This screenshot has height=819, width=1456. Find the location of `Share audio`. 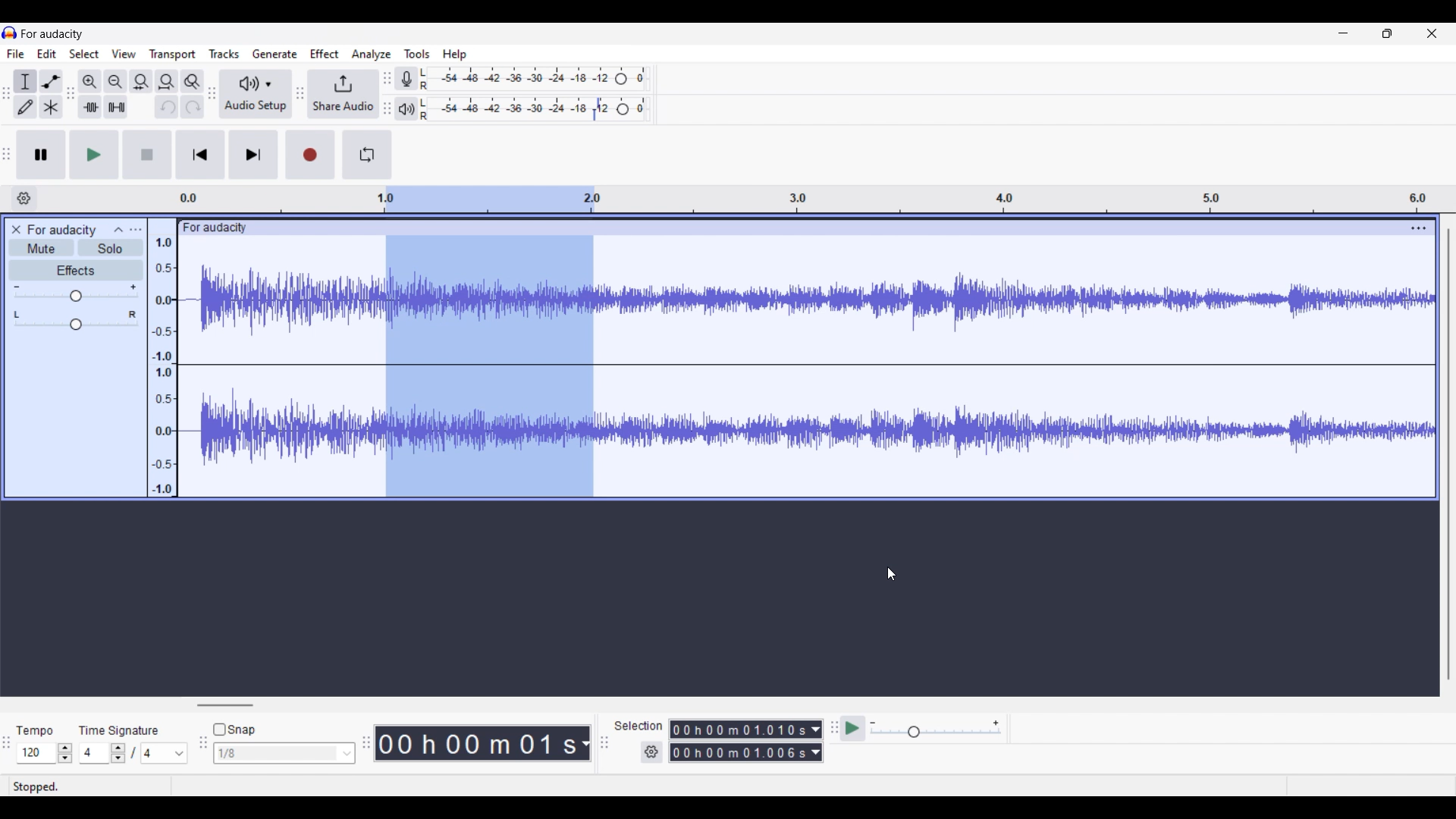

Share audio is located at coordinates (342, 94).